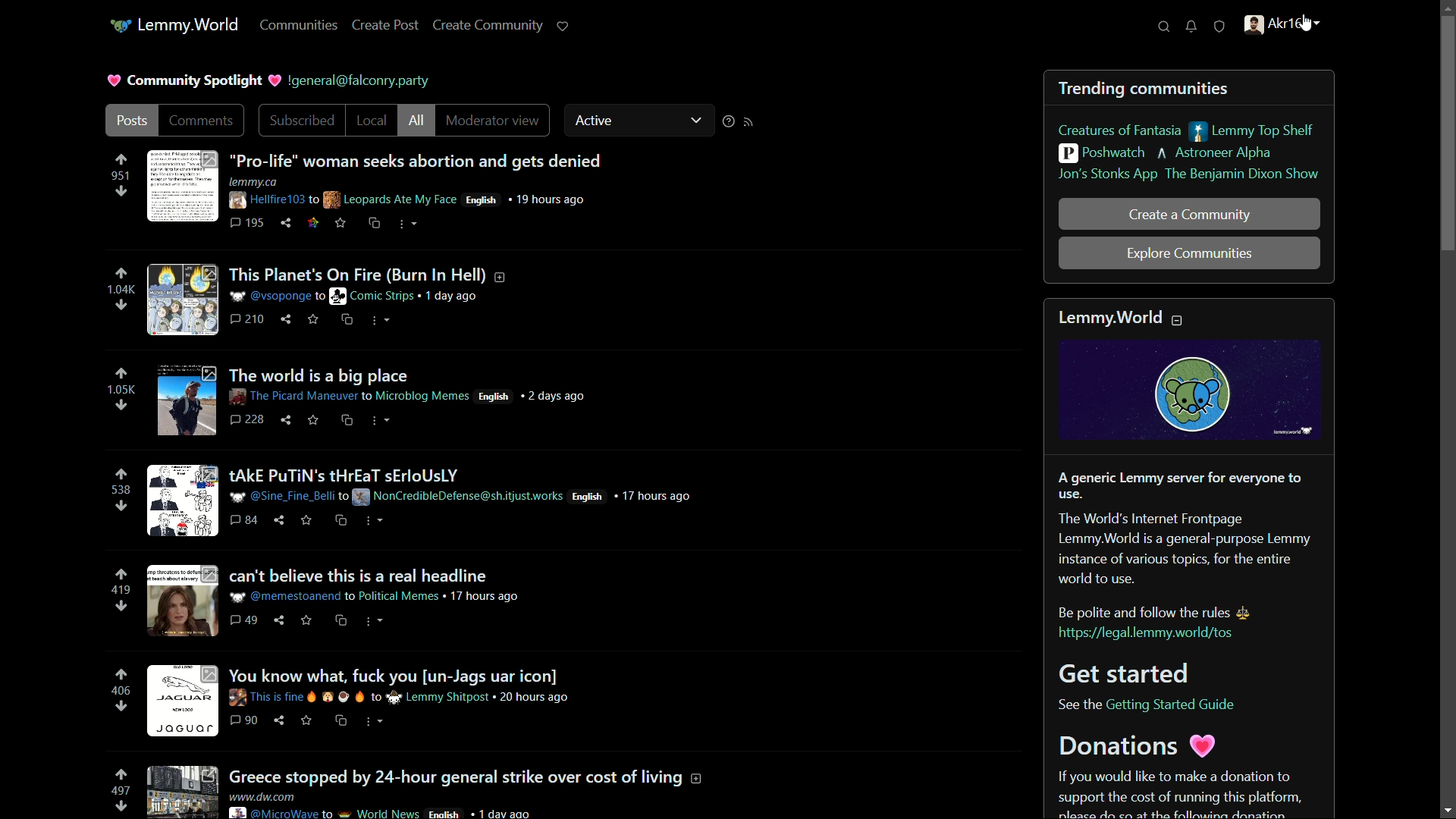 The height and width of the screenshot is (819, 1456). Describe the element at coordinates (196, 80) in the screenshot. I see `community spotlight` at that location.